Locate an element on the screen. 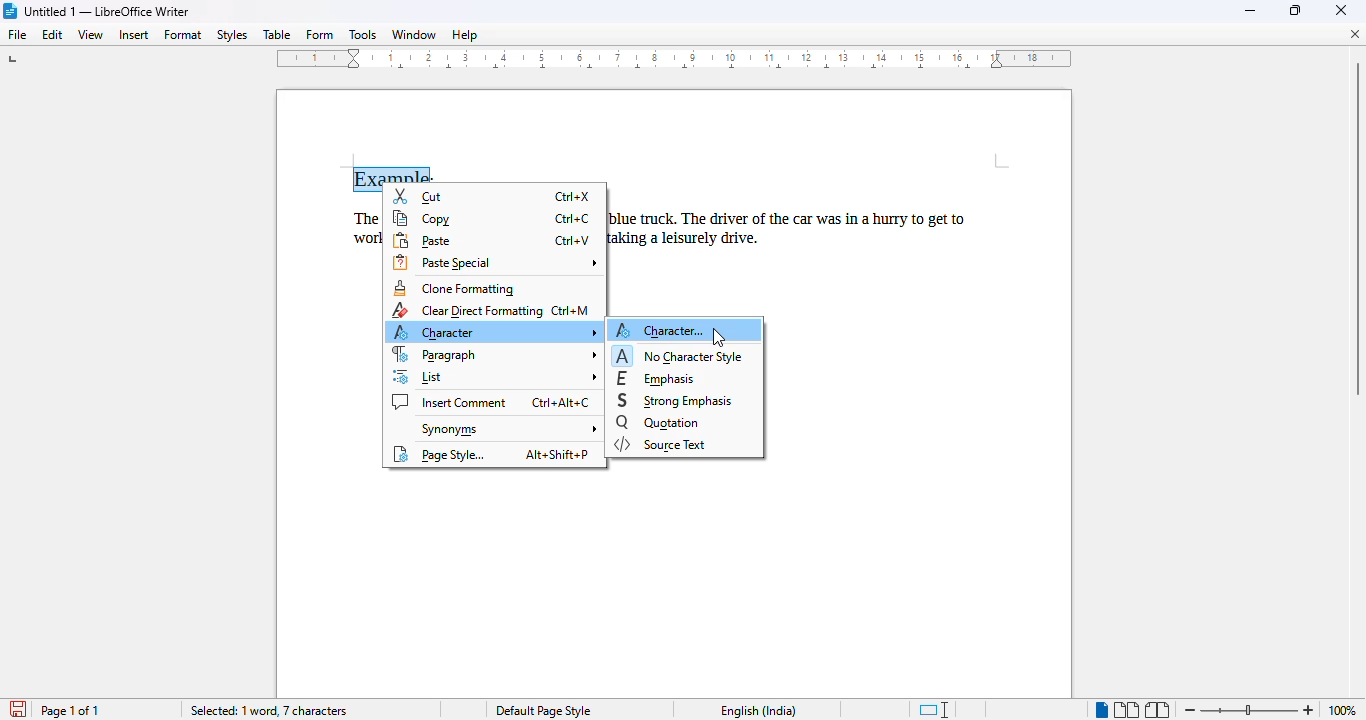  page style is located at coordinates (438, 454).